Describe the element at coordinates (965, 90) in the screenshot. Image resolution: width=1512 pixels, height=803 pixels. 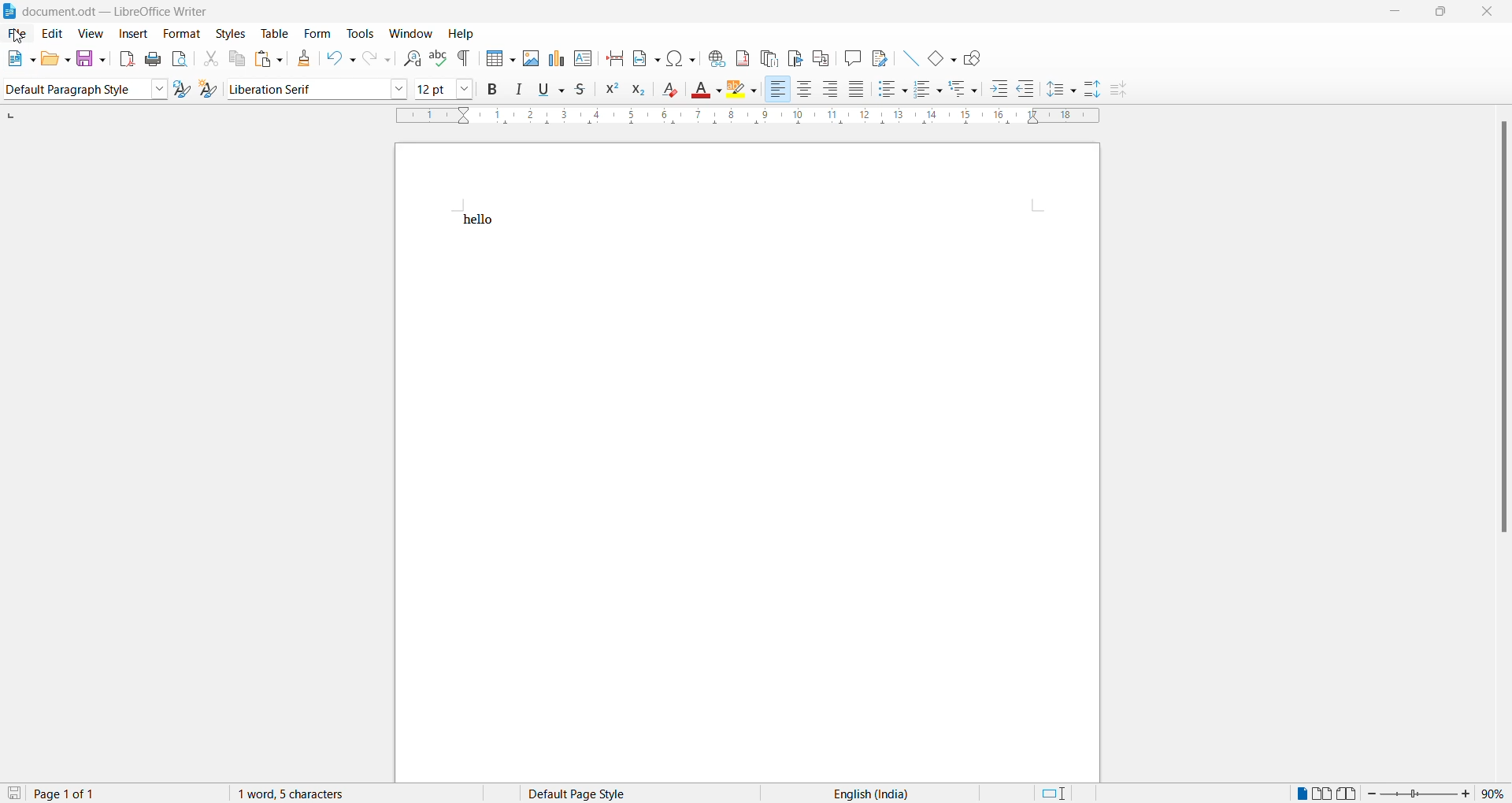
I see `Outline format` at that location.